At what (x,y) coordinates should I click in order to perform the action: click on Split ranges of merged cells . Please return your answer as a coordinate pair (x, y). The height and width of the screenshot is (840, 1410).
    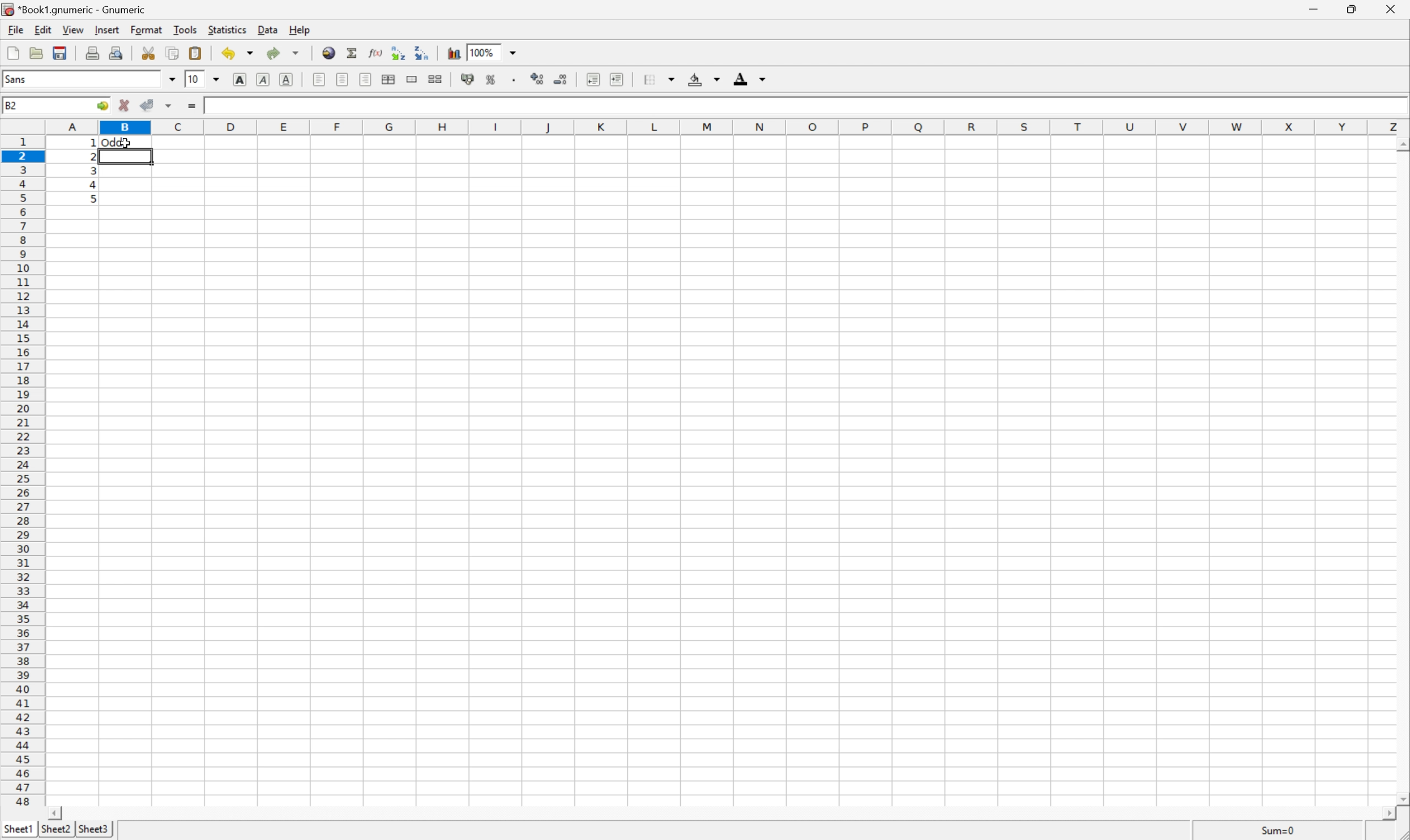
    Looking at the image, I should click on (435, 79).